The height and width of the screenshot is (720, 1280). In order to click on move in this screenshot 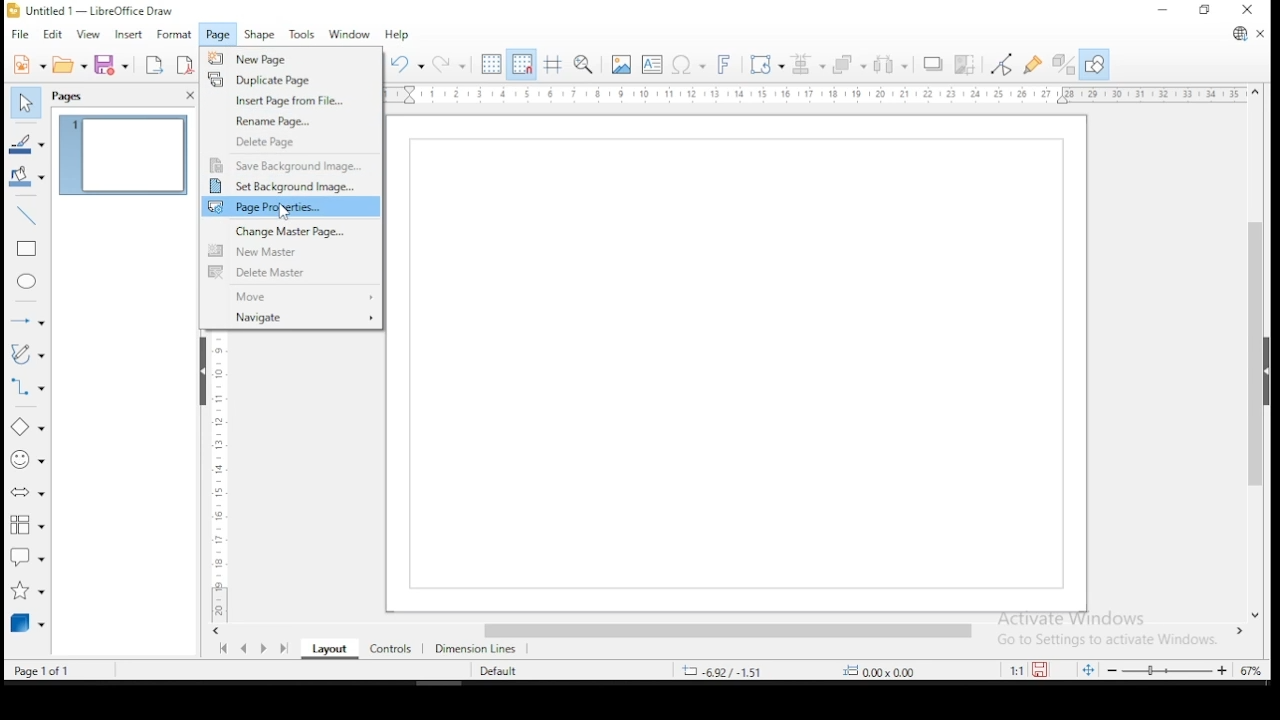, I will do `click(293, 295)`.